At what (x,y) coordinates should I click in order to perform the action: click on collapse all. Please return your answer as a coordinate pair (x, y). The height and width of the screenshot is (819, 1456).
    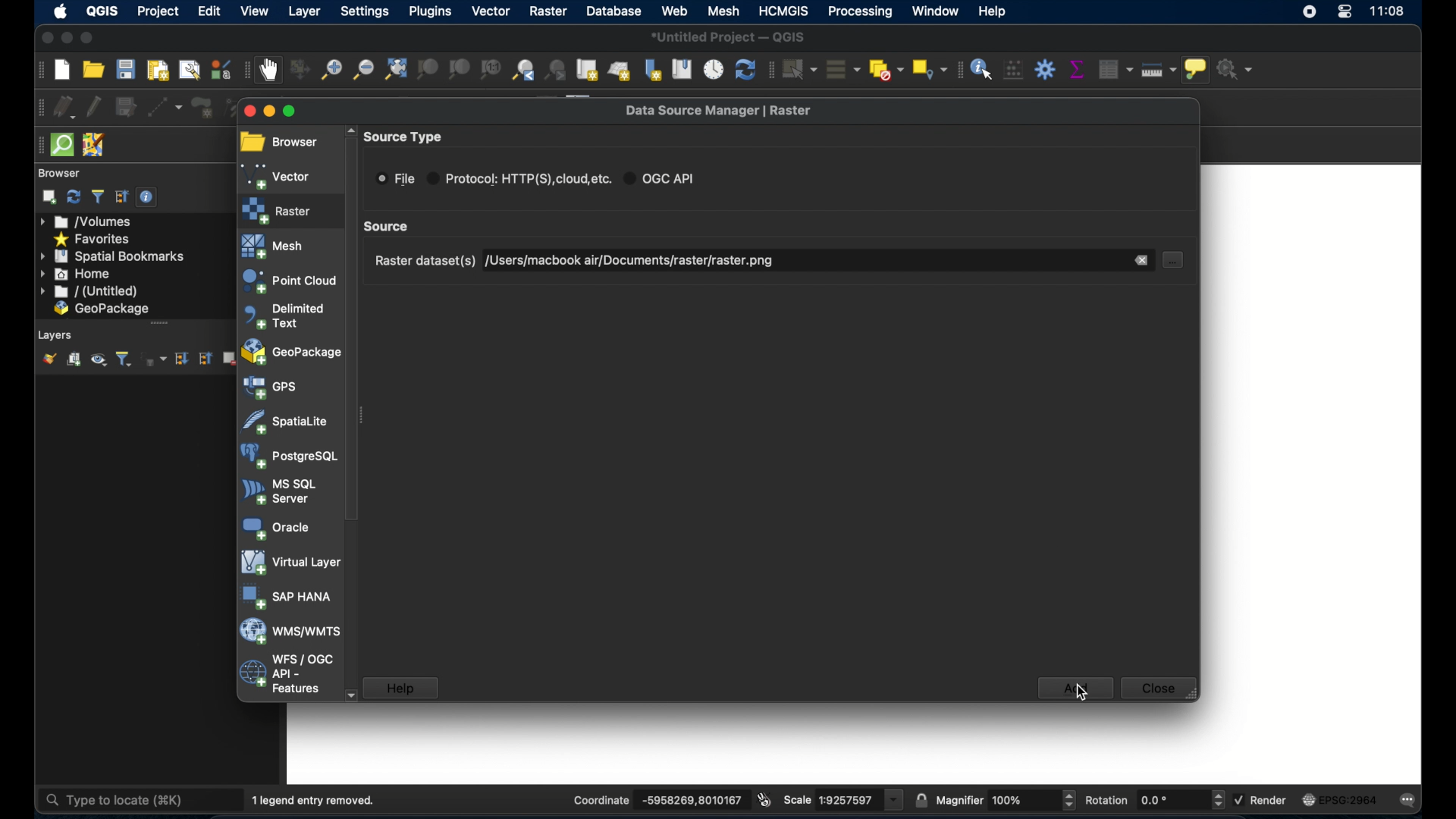
    Looking at the image, I should click on (208, 358).